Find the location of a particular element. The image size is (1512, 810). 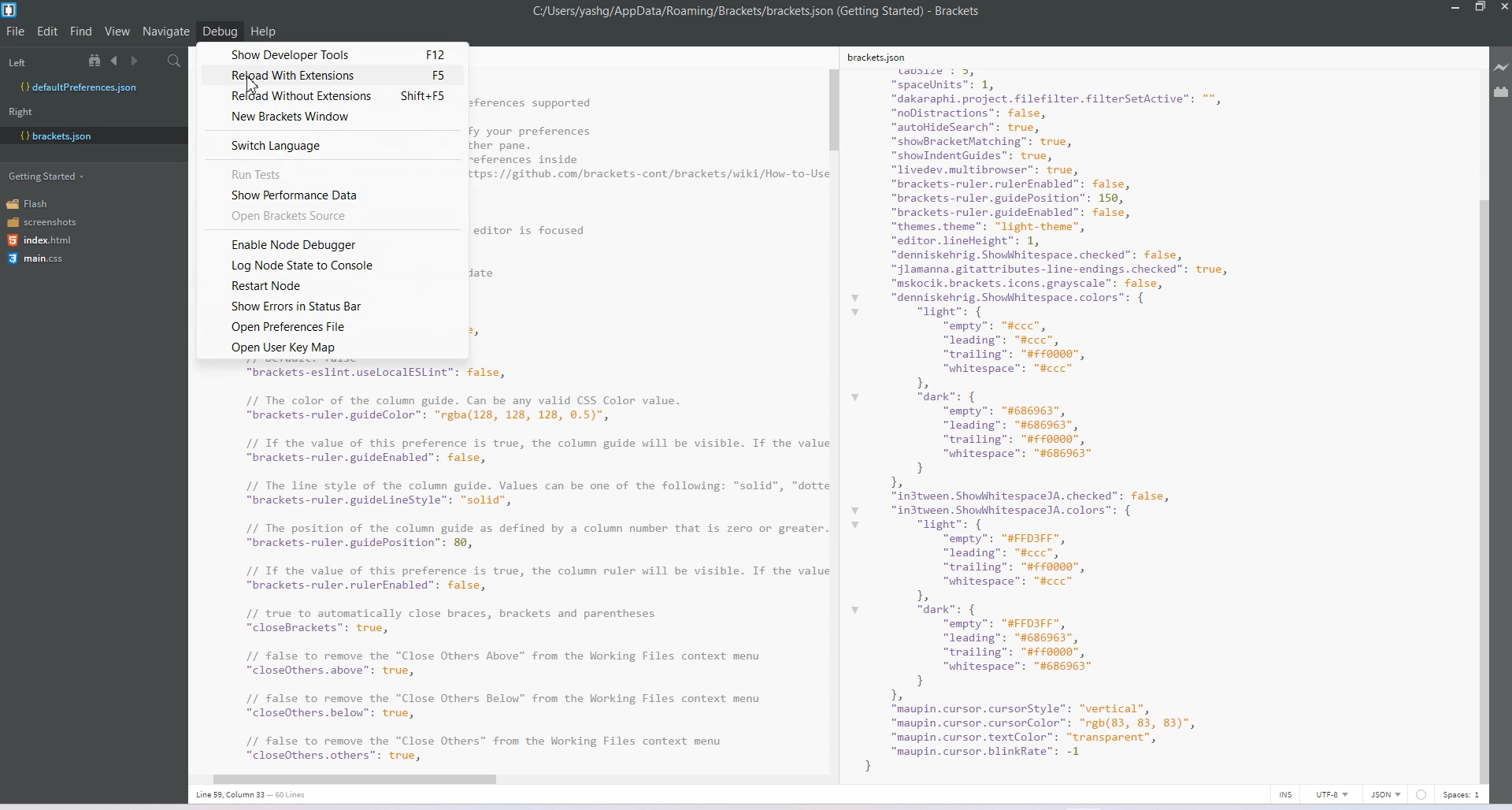

Extension Manager is located at coordinates (1502, 95).